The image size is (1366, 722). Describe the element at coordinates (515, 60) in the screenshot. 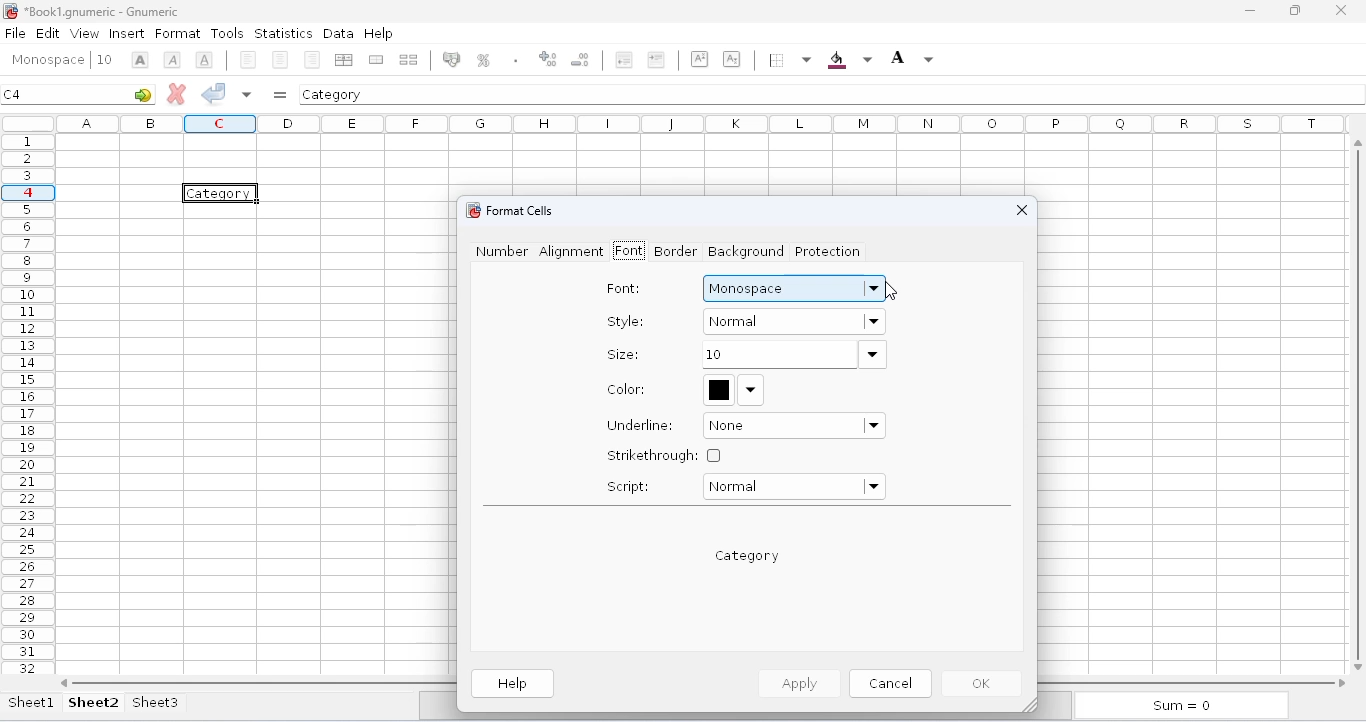

I see `set the format of the selected cells to include a thousands separator` at that location.